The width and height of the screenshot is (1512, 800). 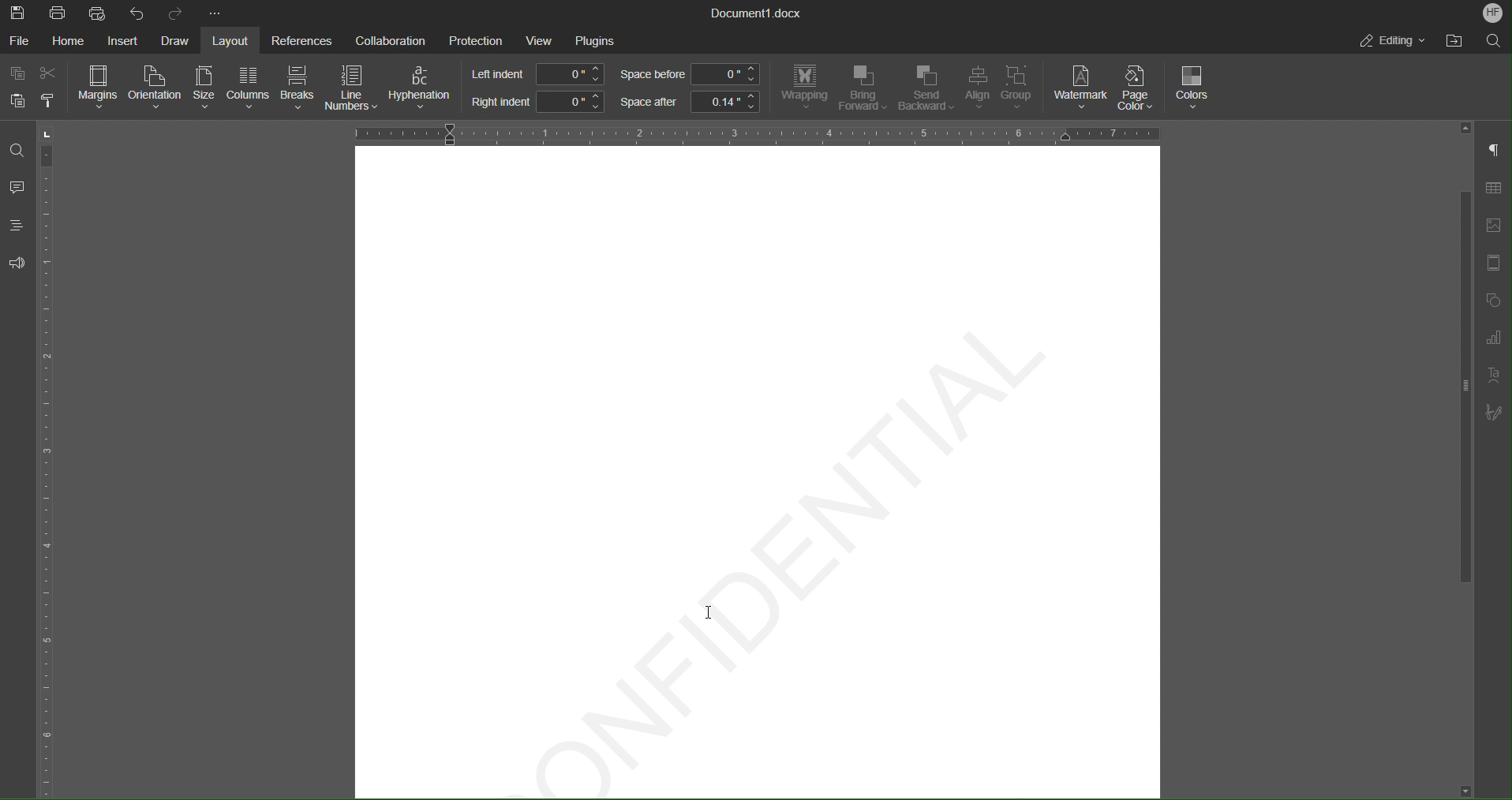 I want to click on Protection, so click(x=476, y=39).